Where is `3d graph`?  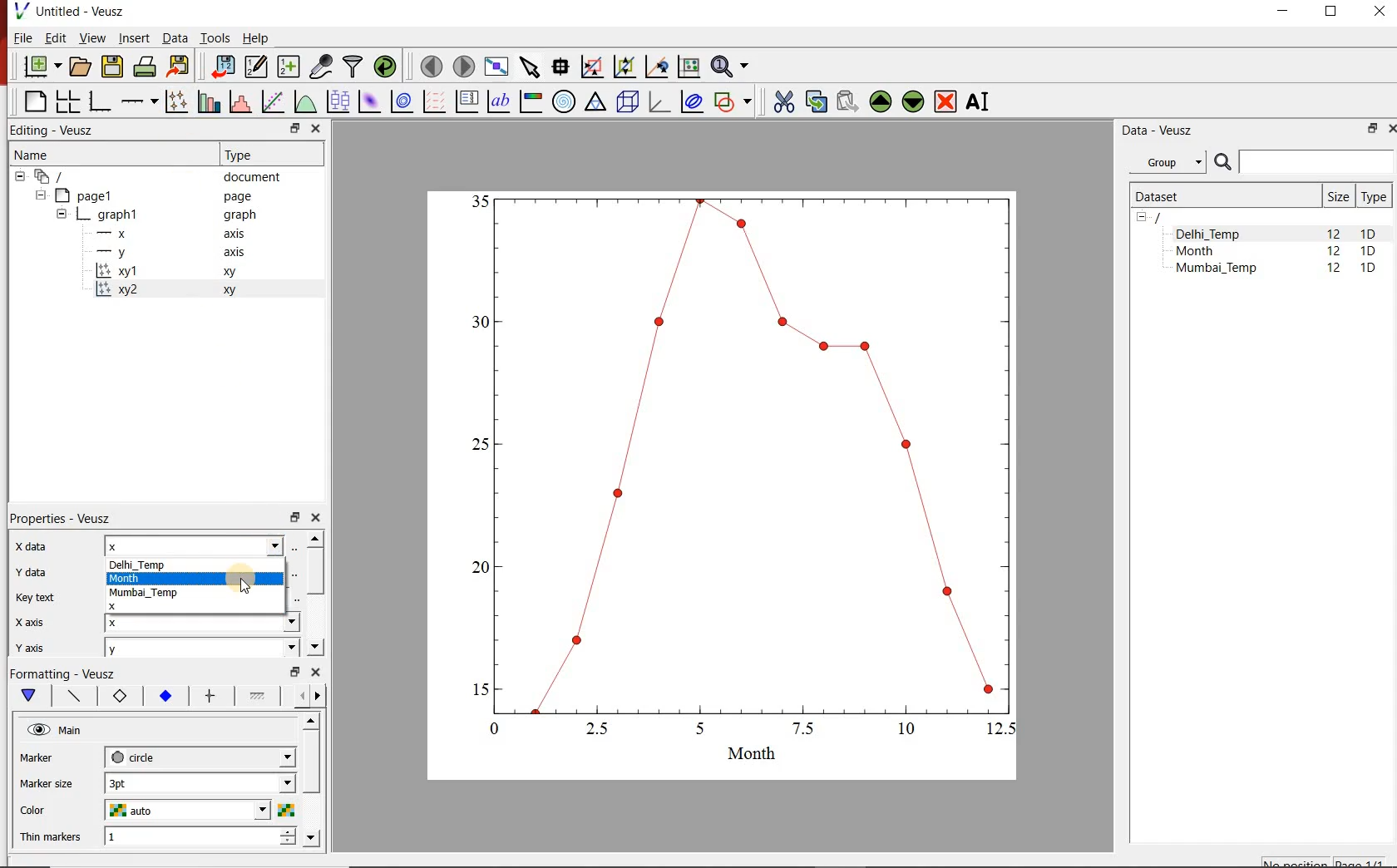 3d graph is located at coordinates (657, 101).